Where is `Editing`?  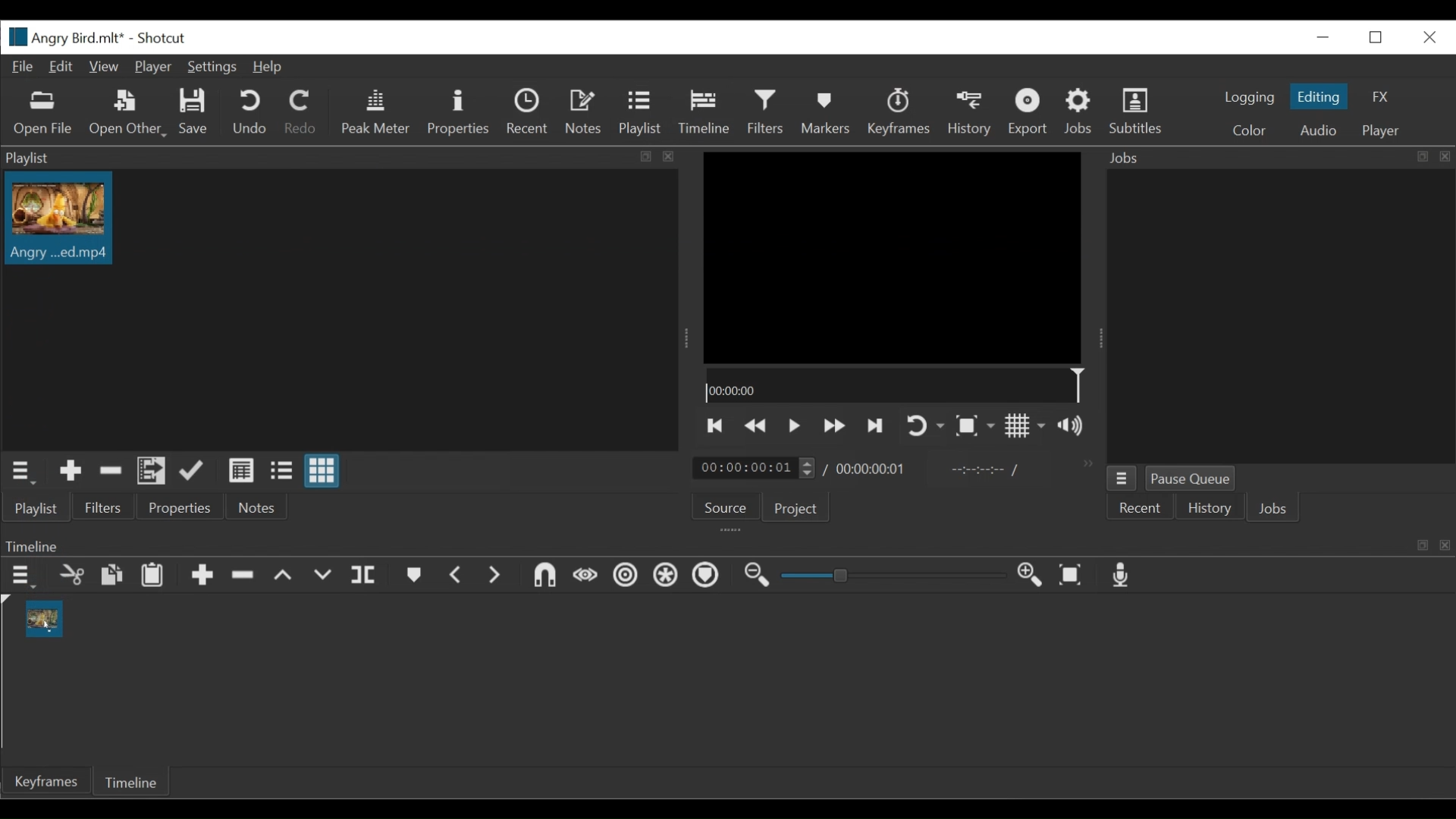
Editing is located at coordinates (1321, 96).